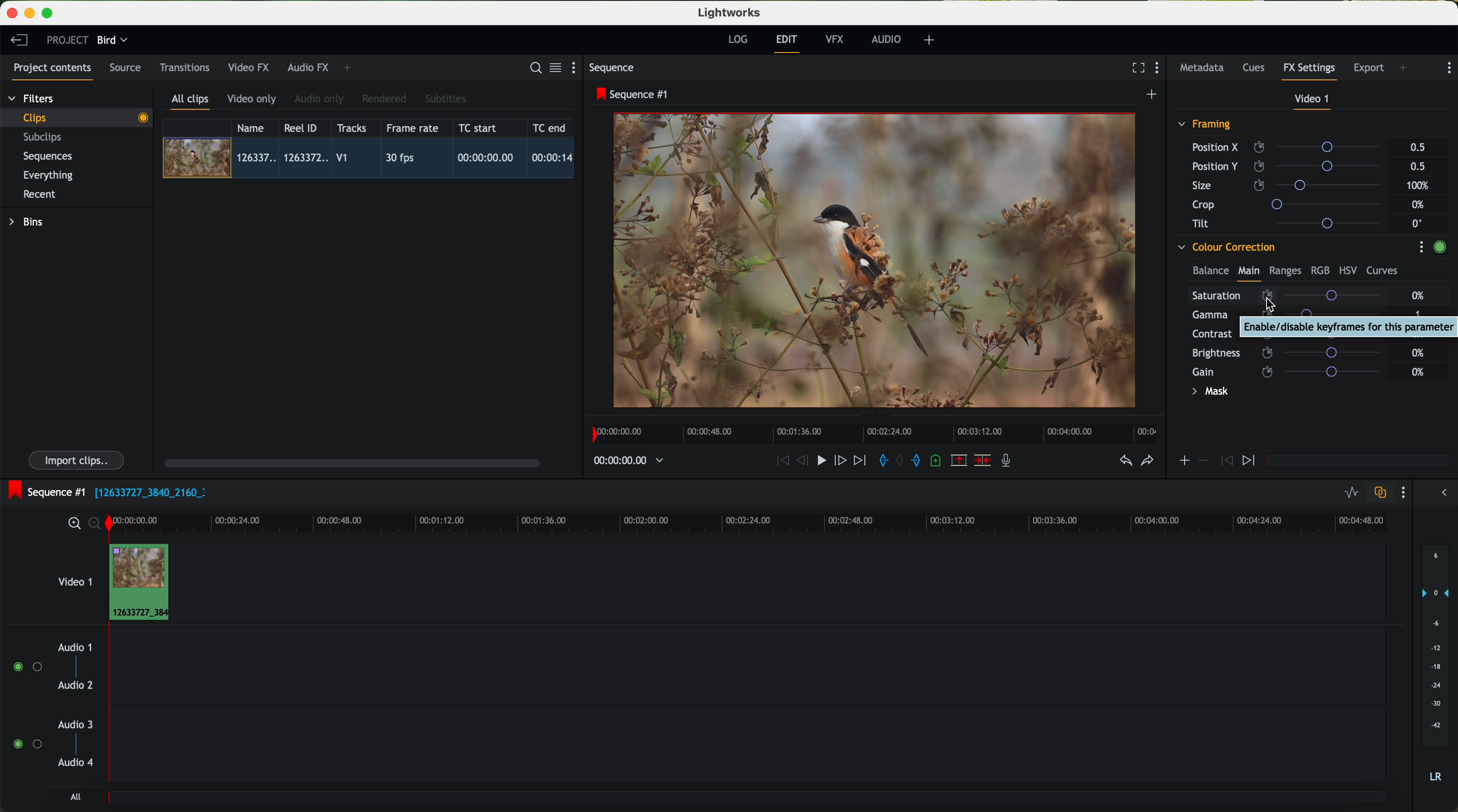  Describe the element at coordinates (737, 40) in the screenshot. I see `log` at that location.